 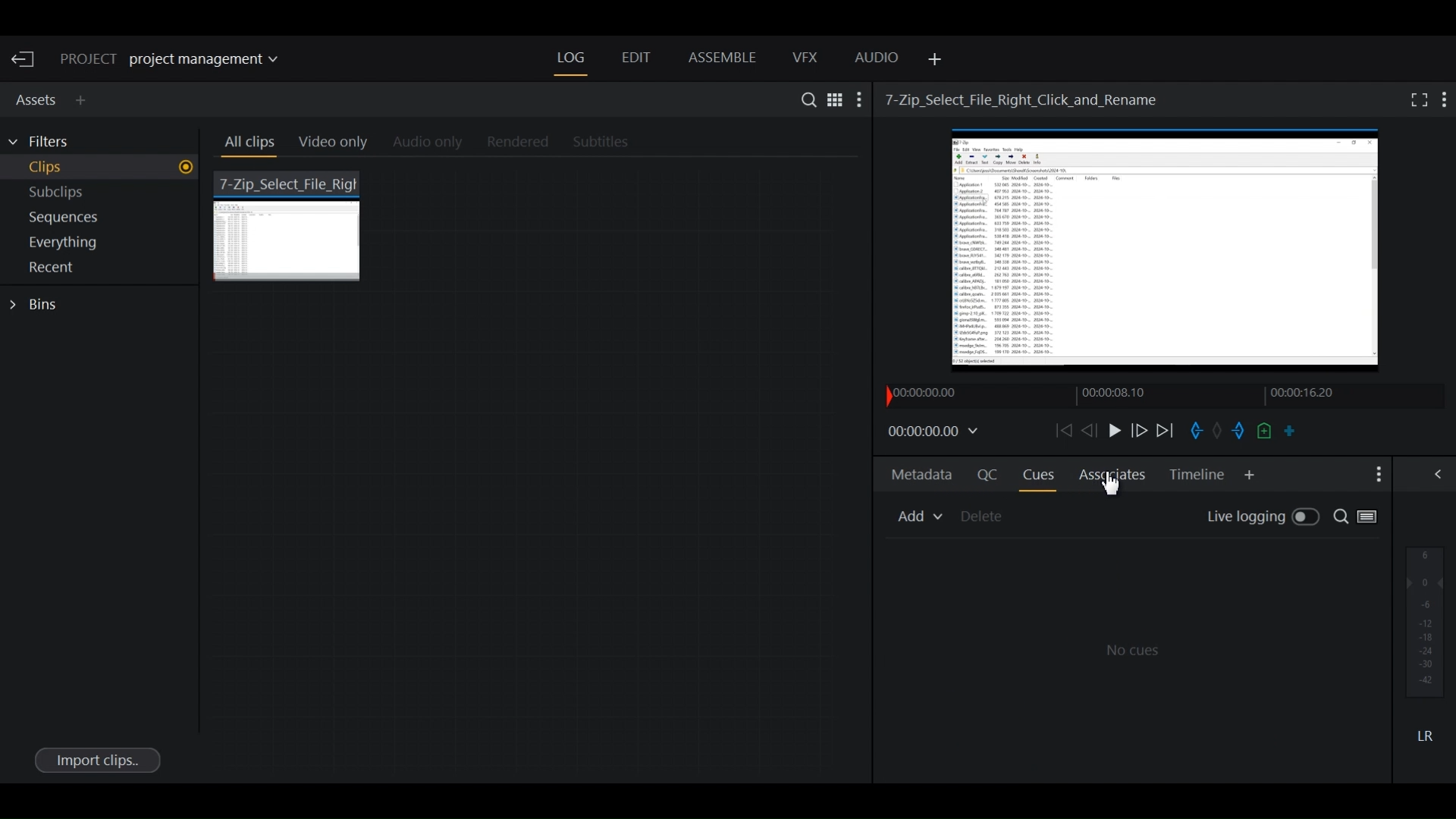 What do you see at coordinates (103, 244) in the screenshot?
I see `Show everything in current project` at bounding box center [103, 244].